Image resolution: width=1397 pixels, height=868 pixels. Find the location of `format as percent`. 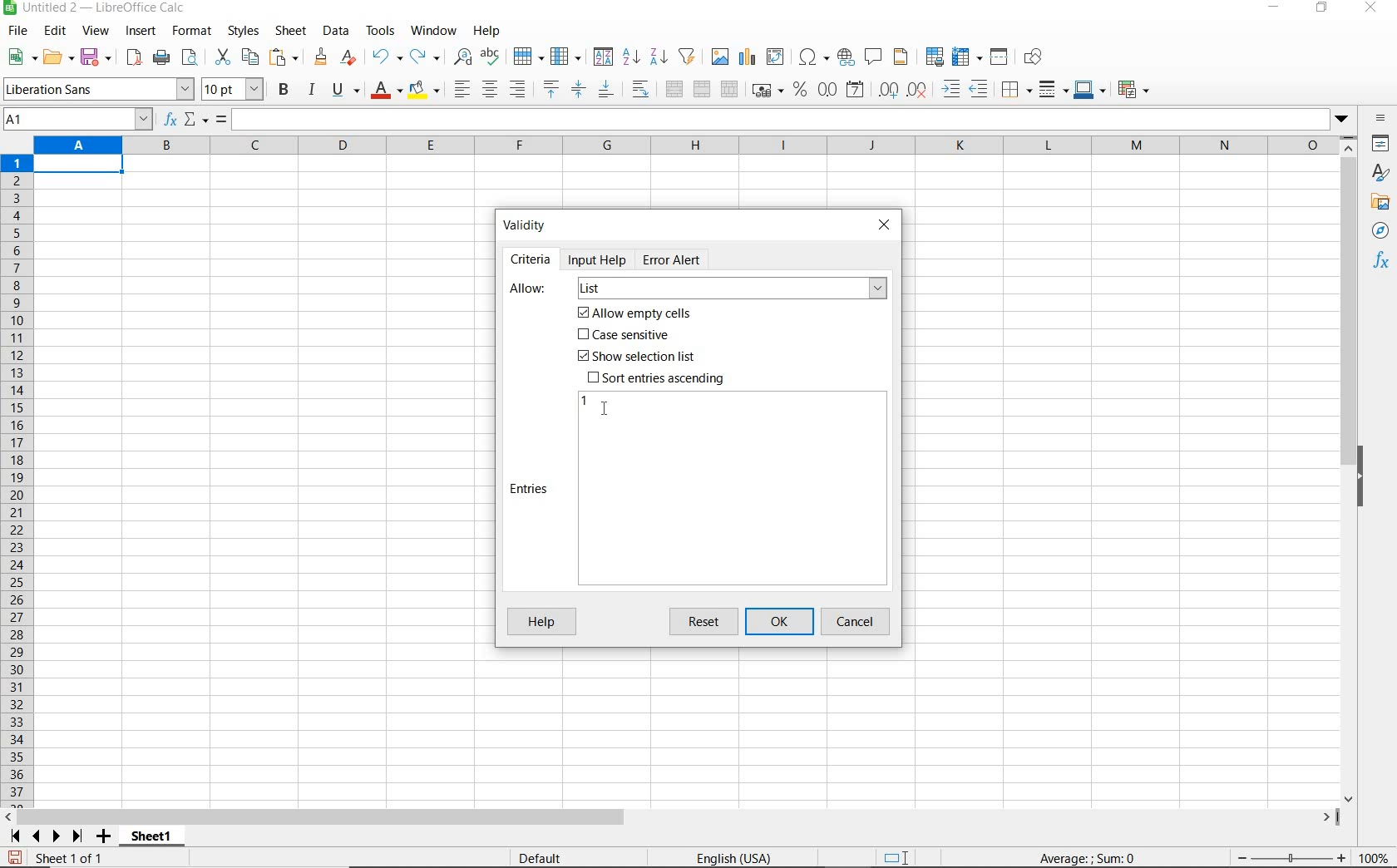

format as percent is located at coordinates (800, 90).